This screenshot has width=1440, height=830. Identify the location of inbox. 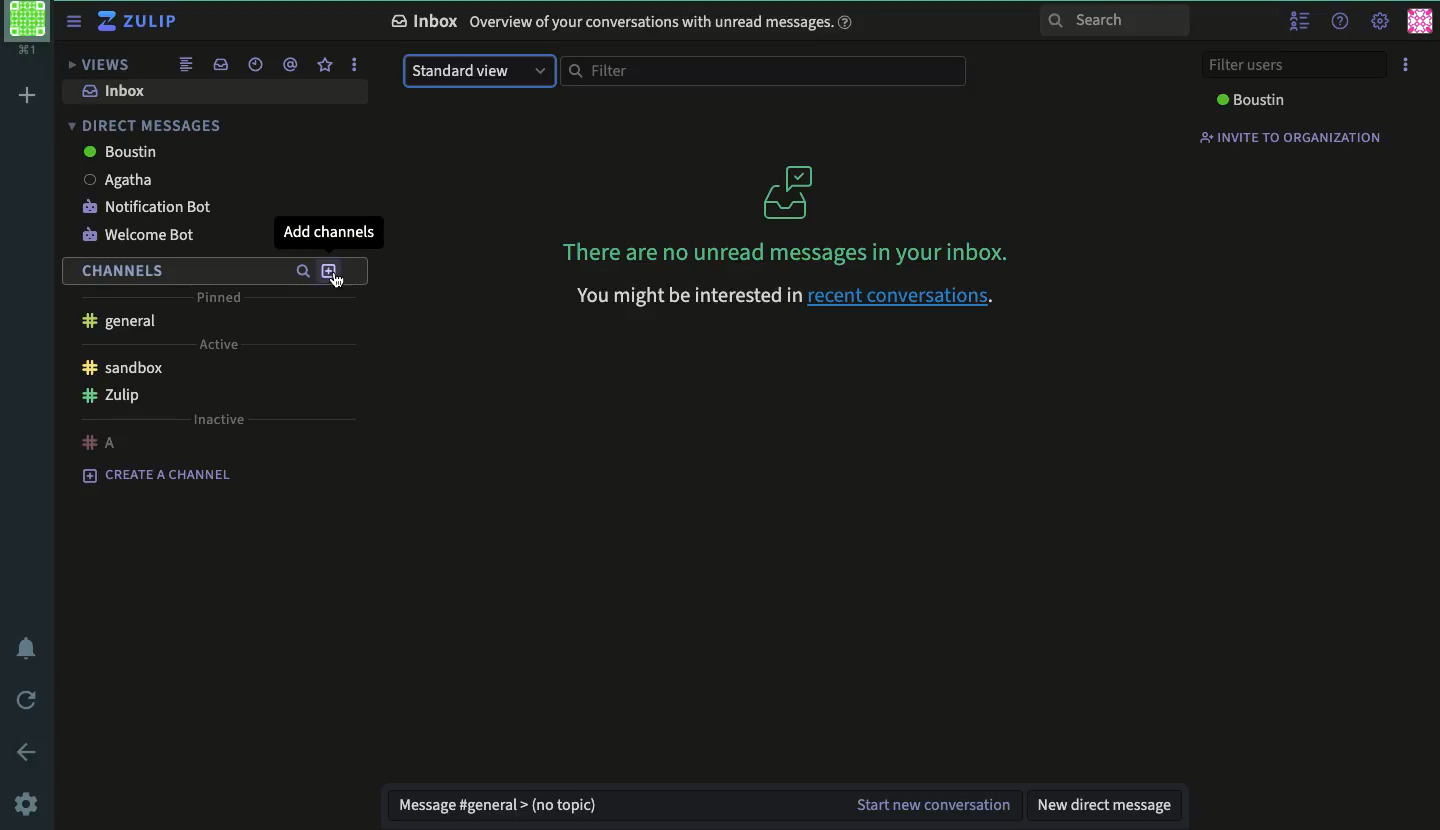
(220, 65).